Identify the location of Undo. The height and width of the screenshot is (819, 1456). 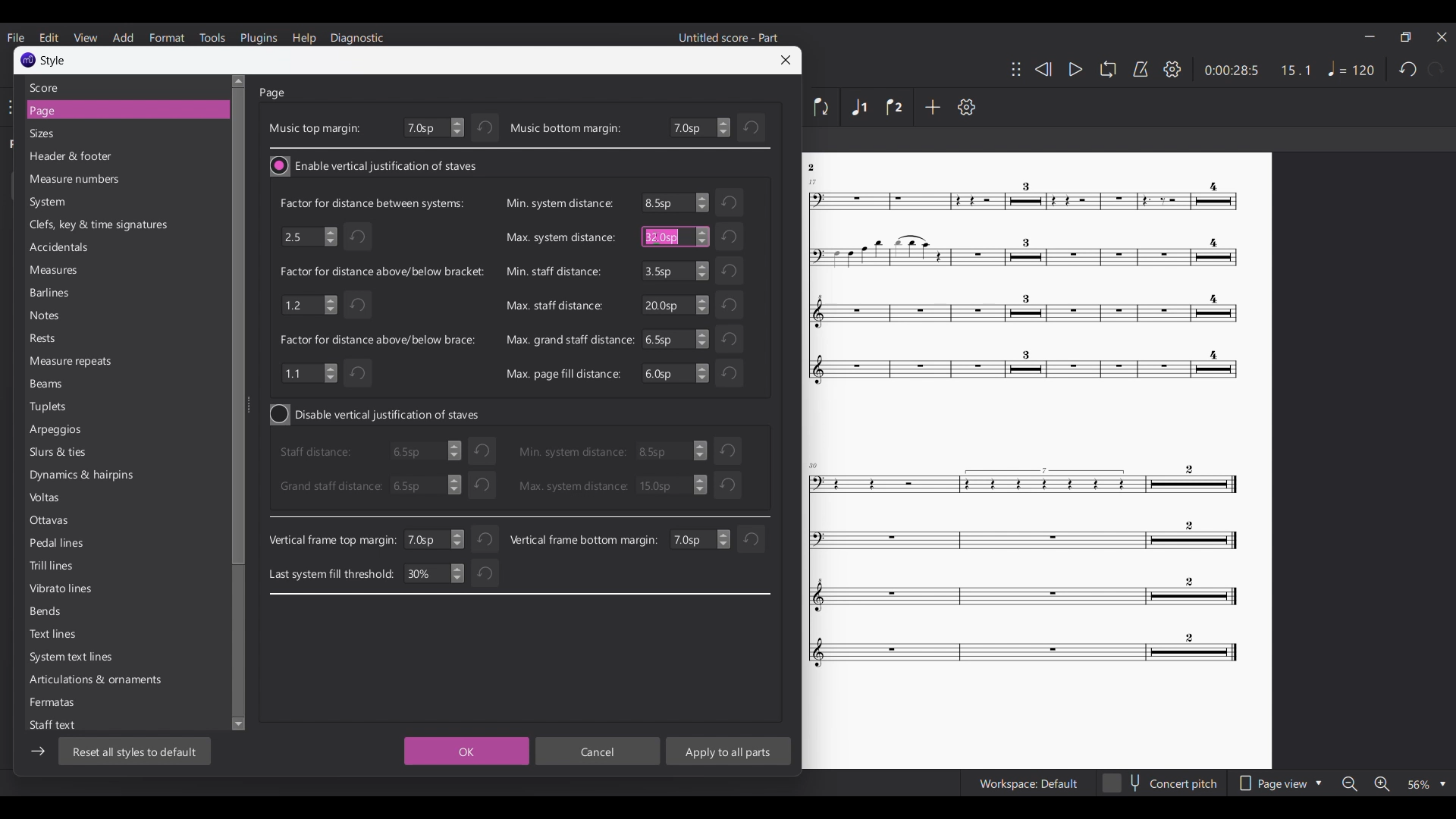
(483, 484).